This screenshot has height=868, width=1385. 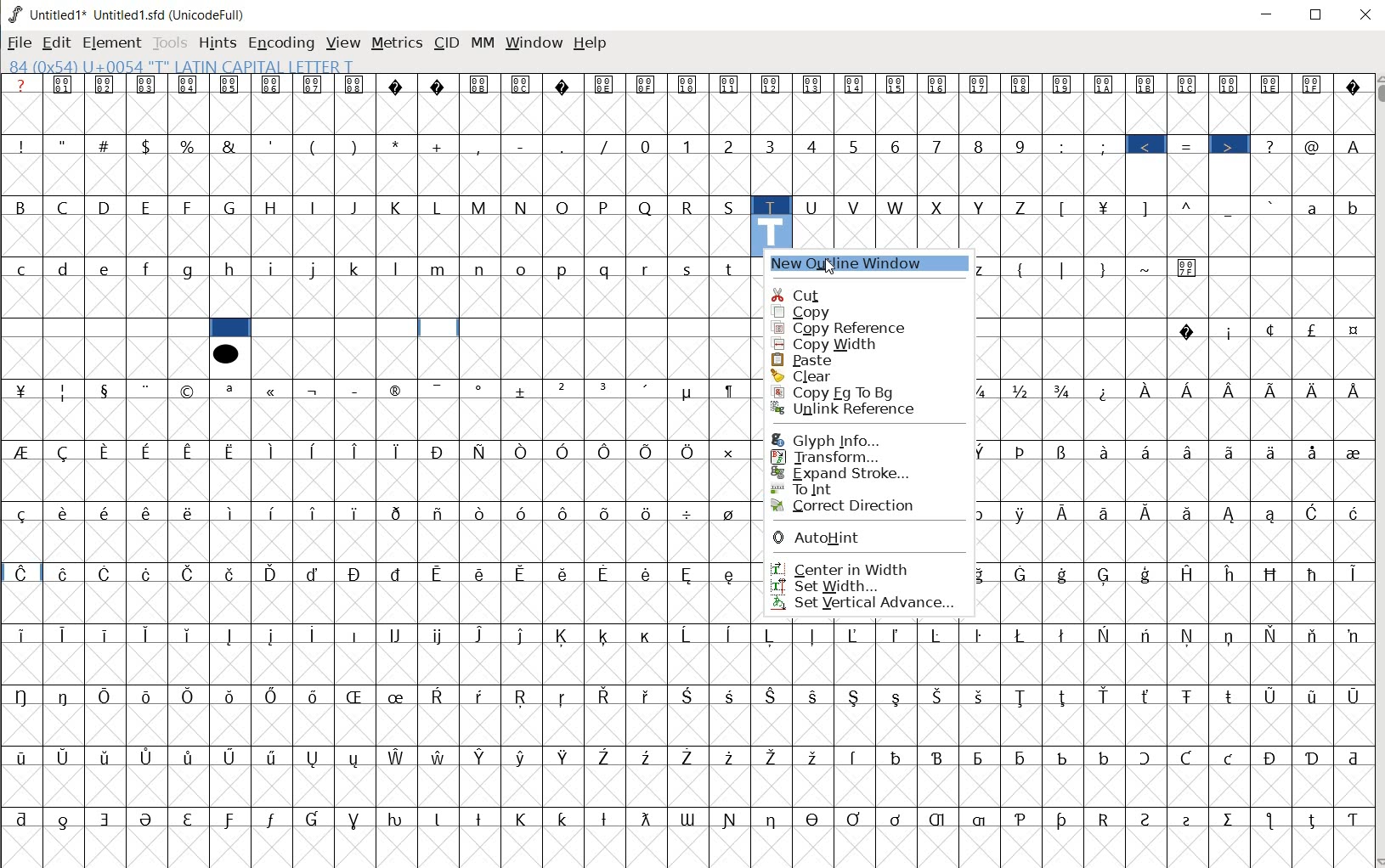 I want to click on Symbol, so click(x=1020, y=634).